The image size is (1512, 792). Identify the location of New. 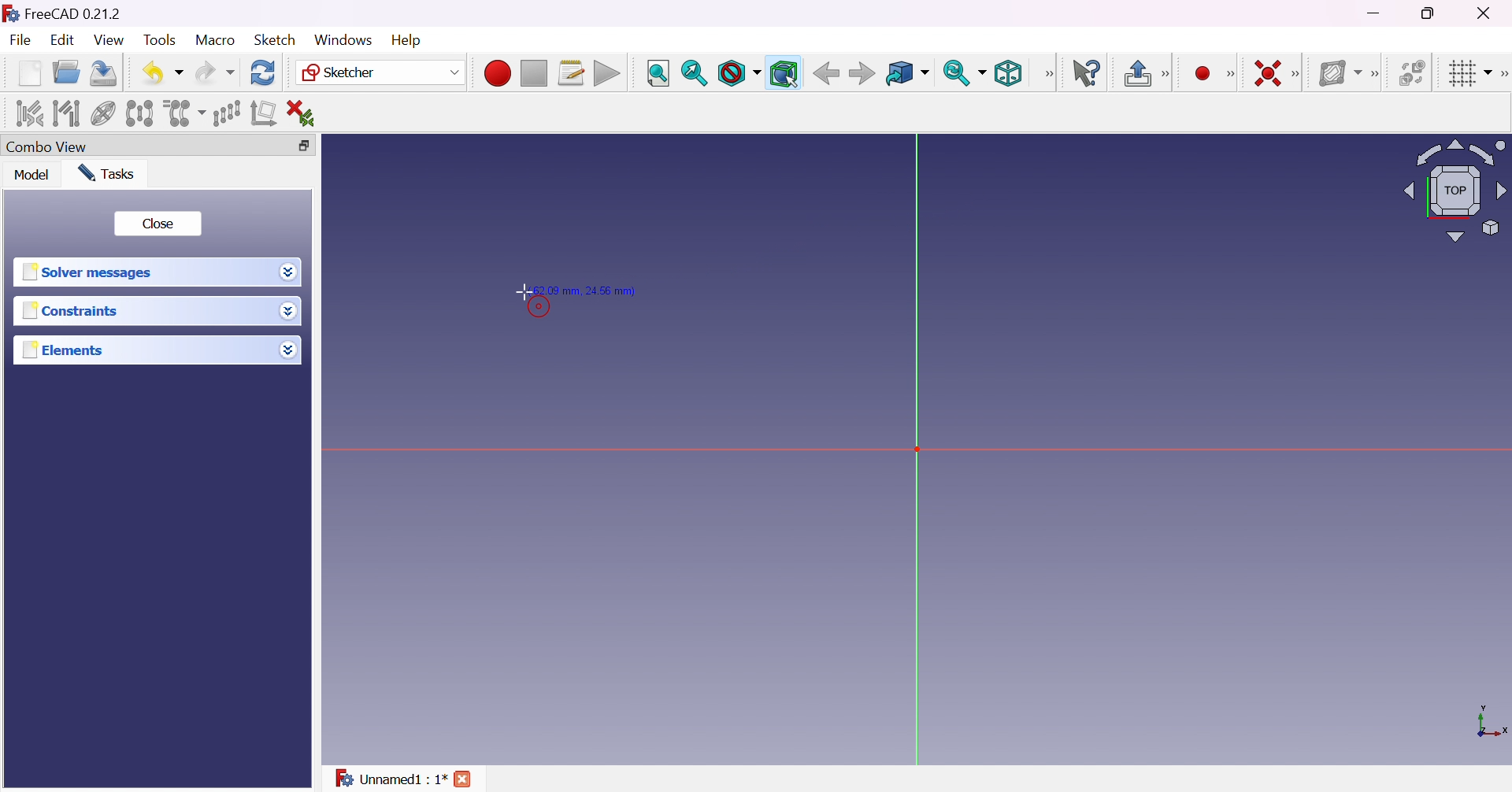
(30, 72).